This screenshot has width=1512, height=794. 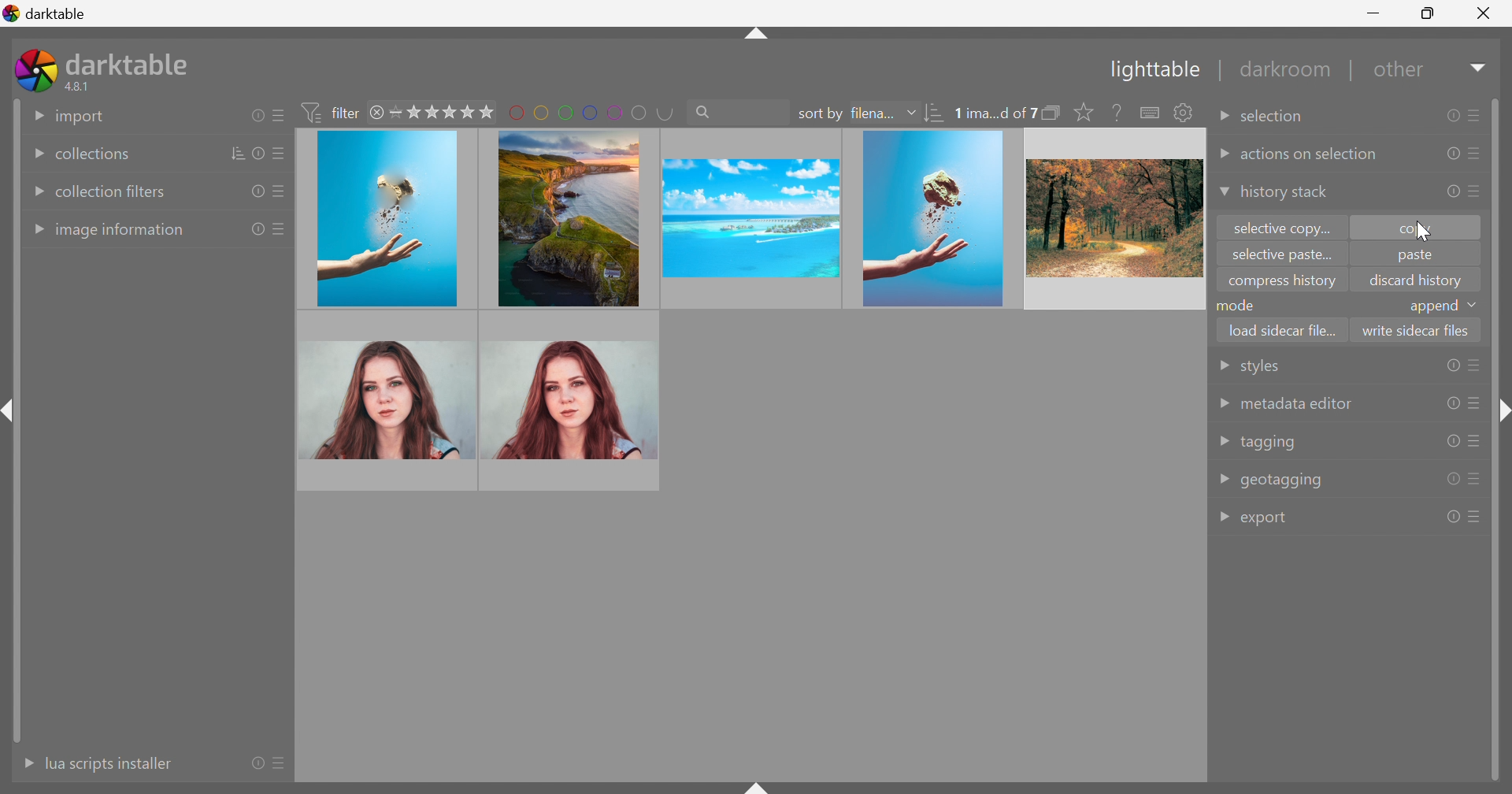 I want to click on image, so click(x=387, y=220).